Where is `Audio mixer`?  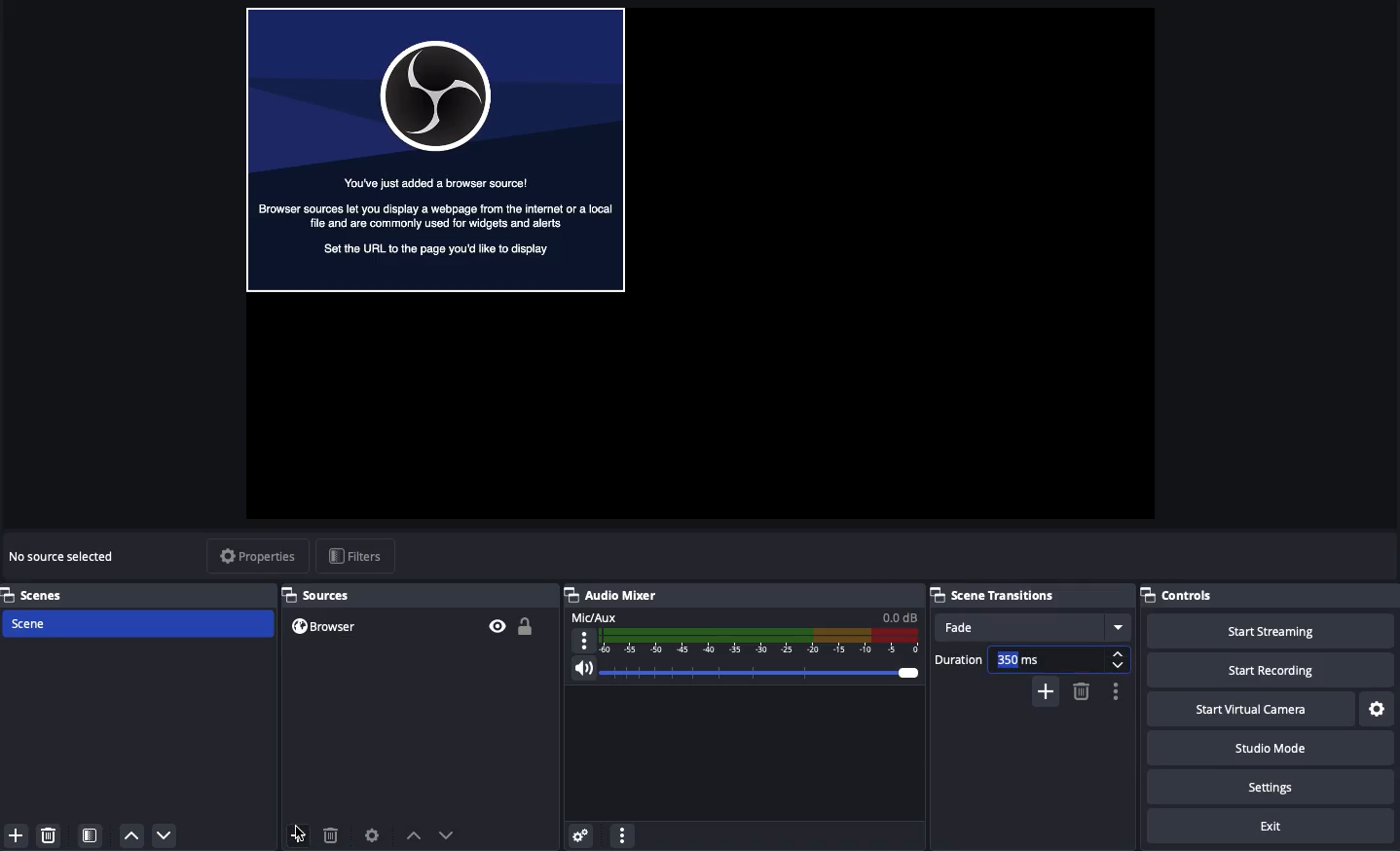 Audio mixer is located at coordinates (738, 596).